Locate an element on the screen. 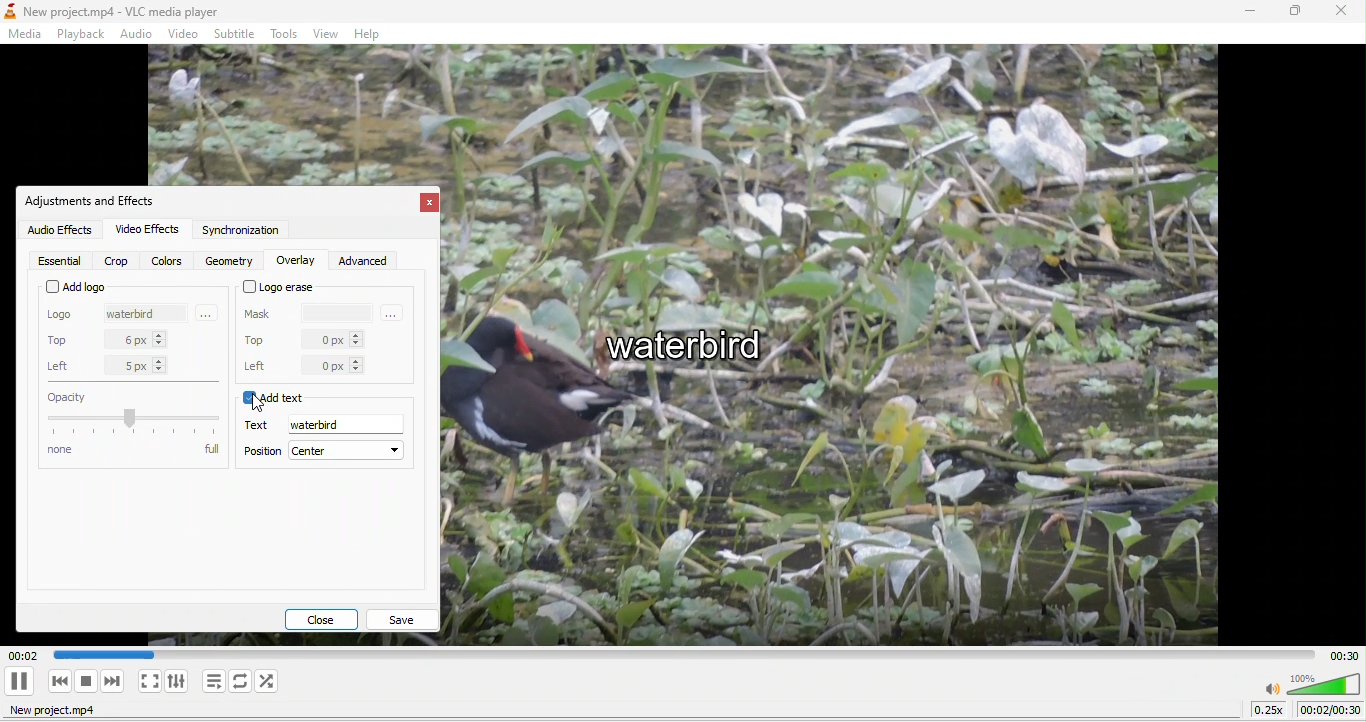  colors is located at coordinates (168, 260).